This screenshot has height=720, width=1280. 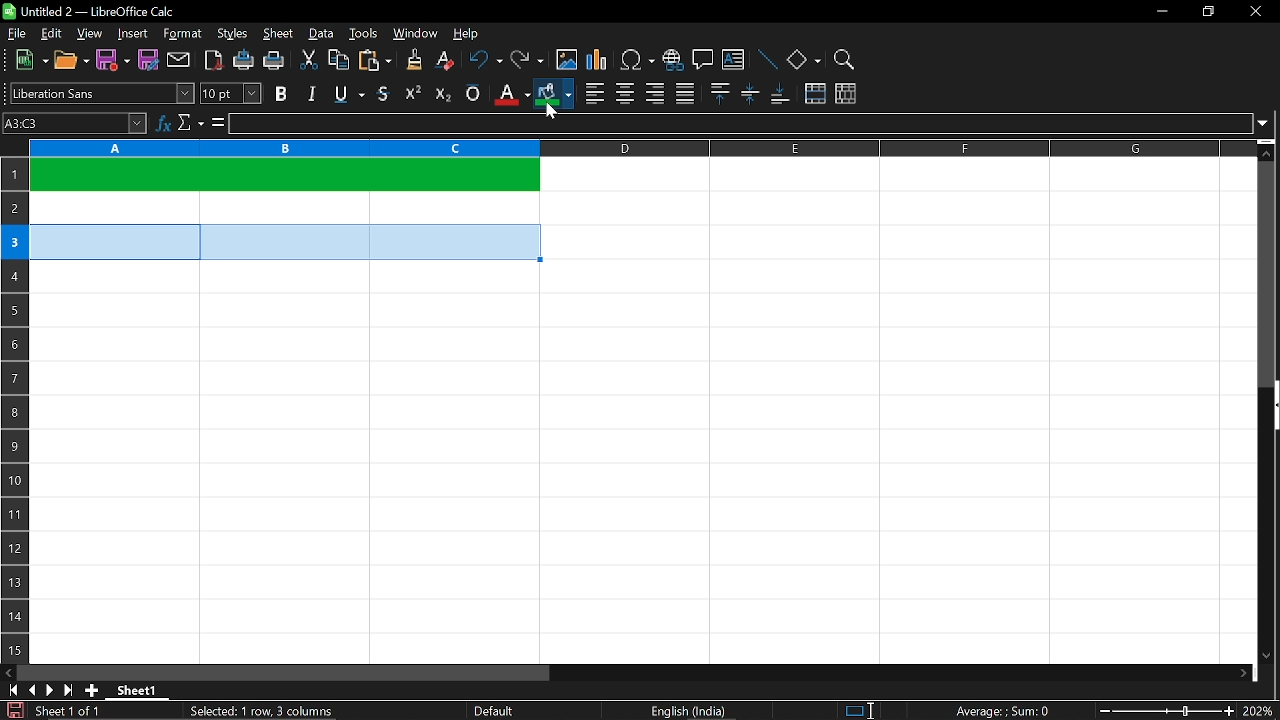 I want to click on insert image, so click(x=566, y=61).